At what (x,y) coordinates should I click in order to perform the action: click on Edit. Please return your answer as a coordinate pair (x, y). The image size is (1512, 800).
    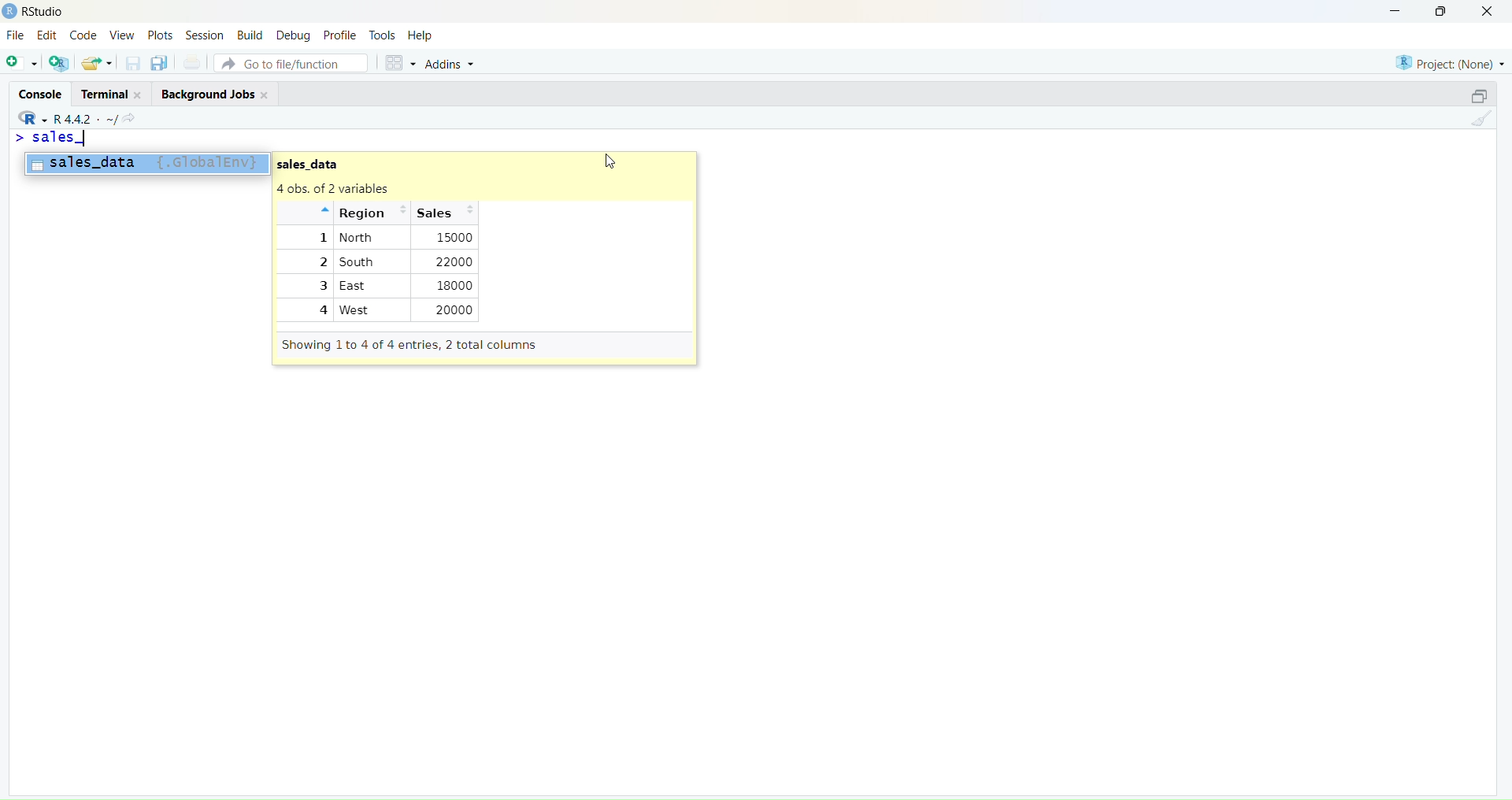
    Looking at the image, I should click on (46, 37).